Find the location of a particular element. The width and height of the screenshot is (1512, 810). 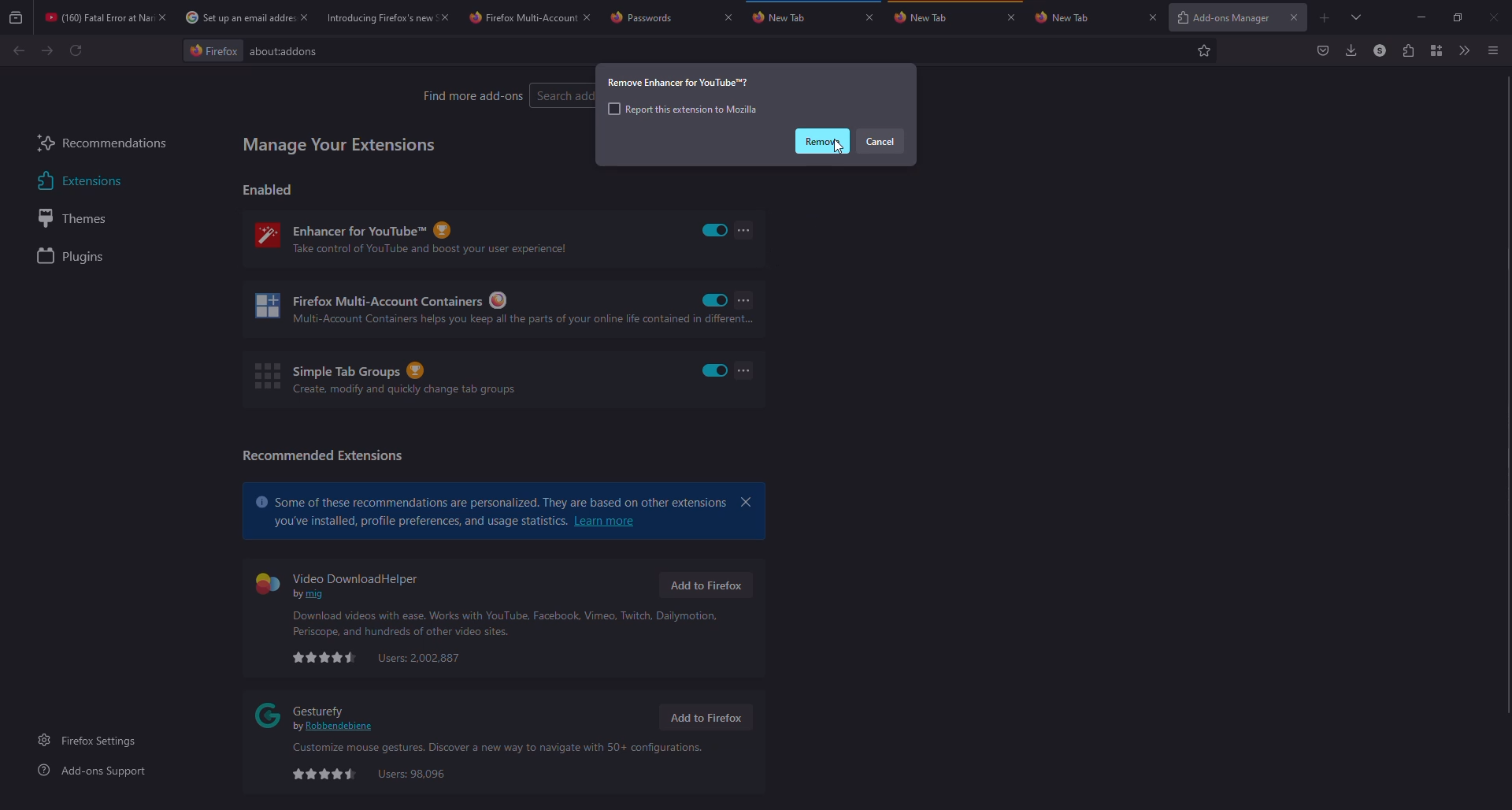

Star rating is located at coordinates (325, 657).